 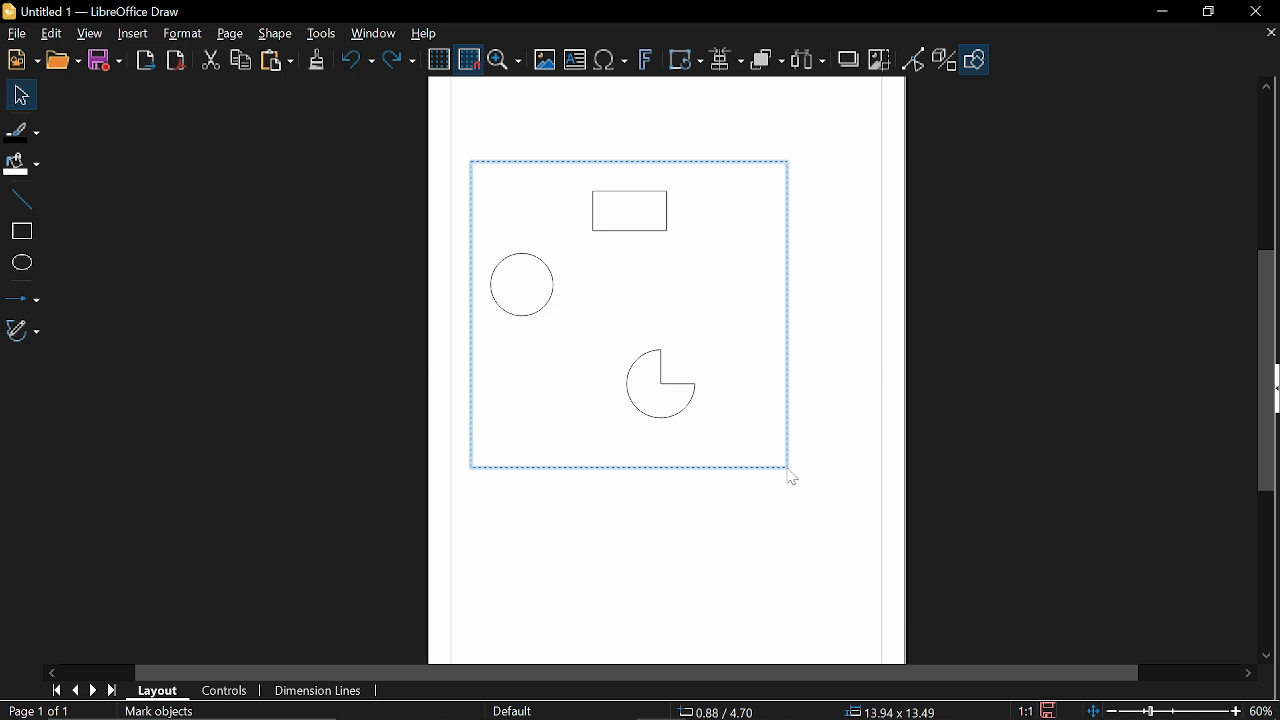 I want to click on Crop, so click(x=878, y=60).